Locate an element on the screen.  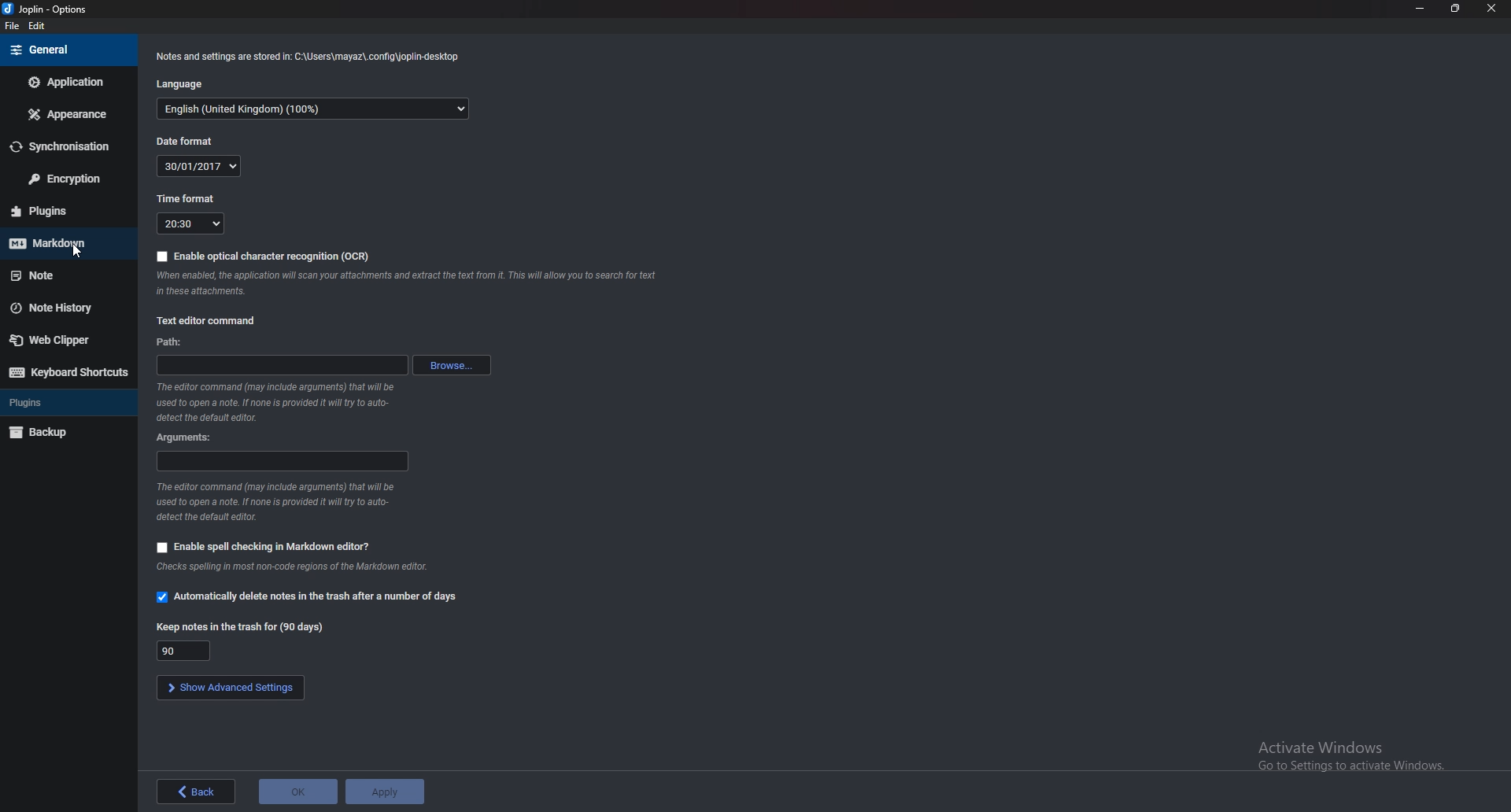
Language is located at coordinates (185, 83).